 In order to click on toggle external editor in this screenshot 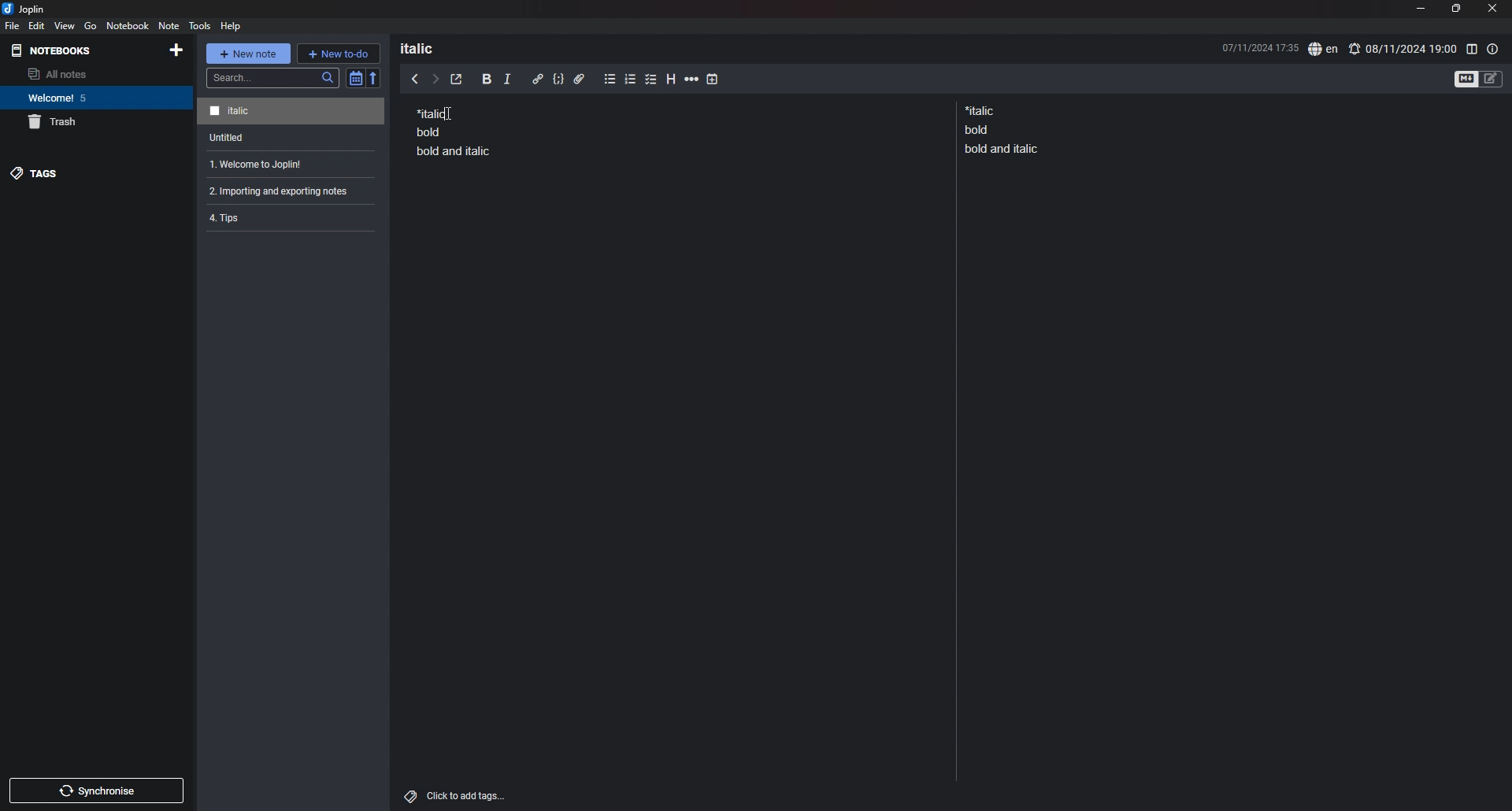, I will do `click(457, 80)`.